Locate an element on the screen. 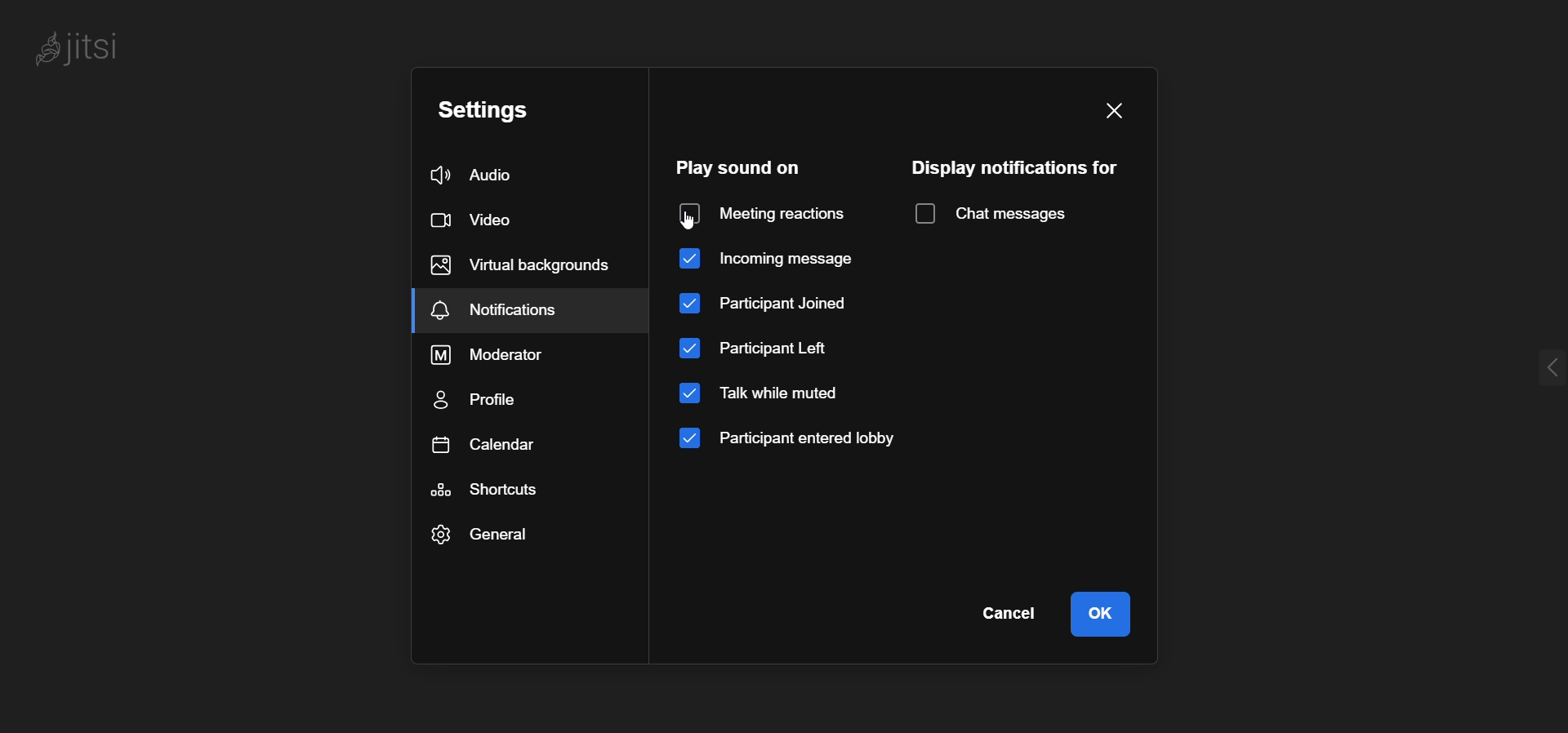  talk while muted is located at coordinates (766, 395).